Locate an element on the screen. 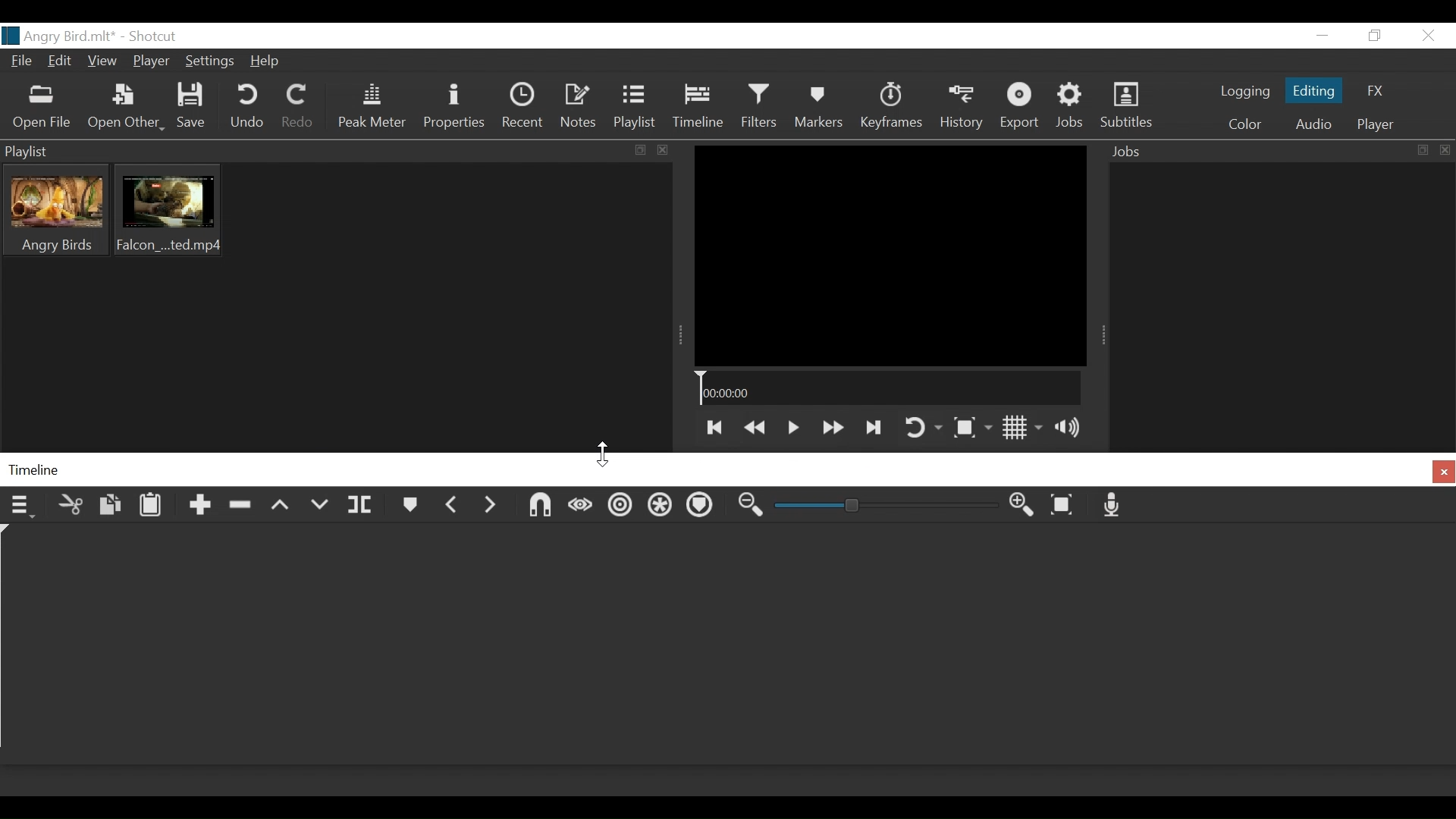 The height and width of the screenshot is (819, 1456). Copy is located at coordinates (108, 507).